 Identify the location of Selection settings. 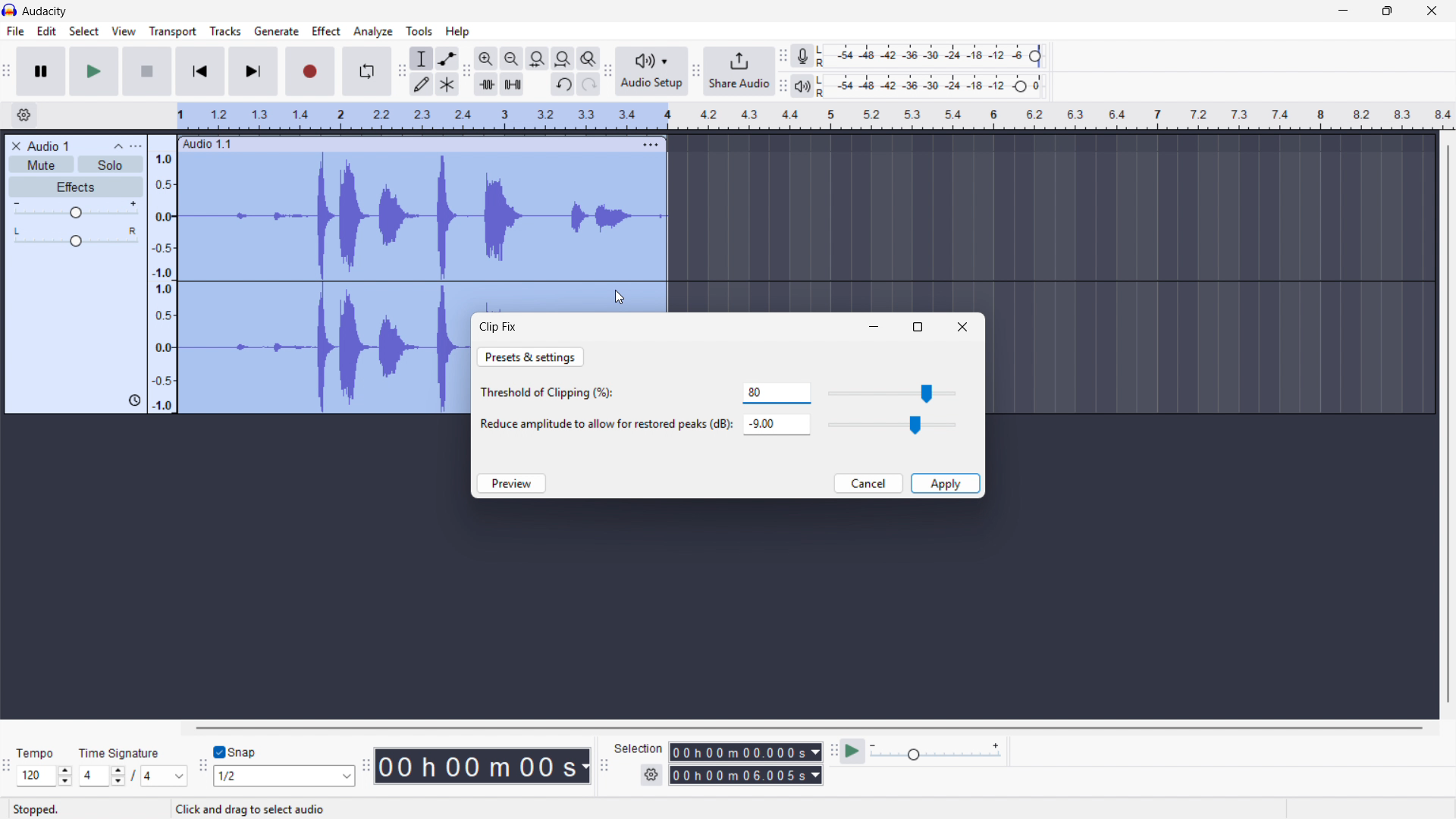
(651, 775).